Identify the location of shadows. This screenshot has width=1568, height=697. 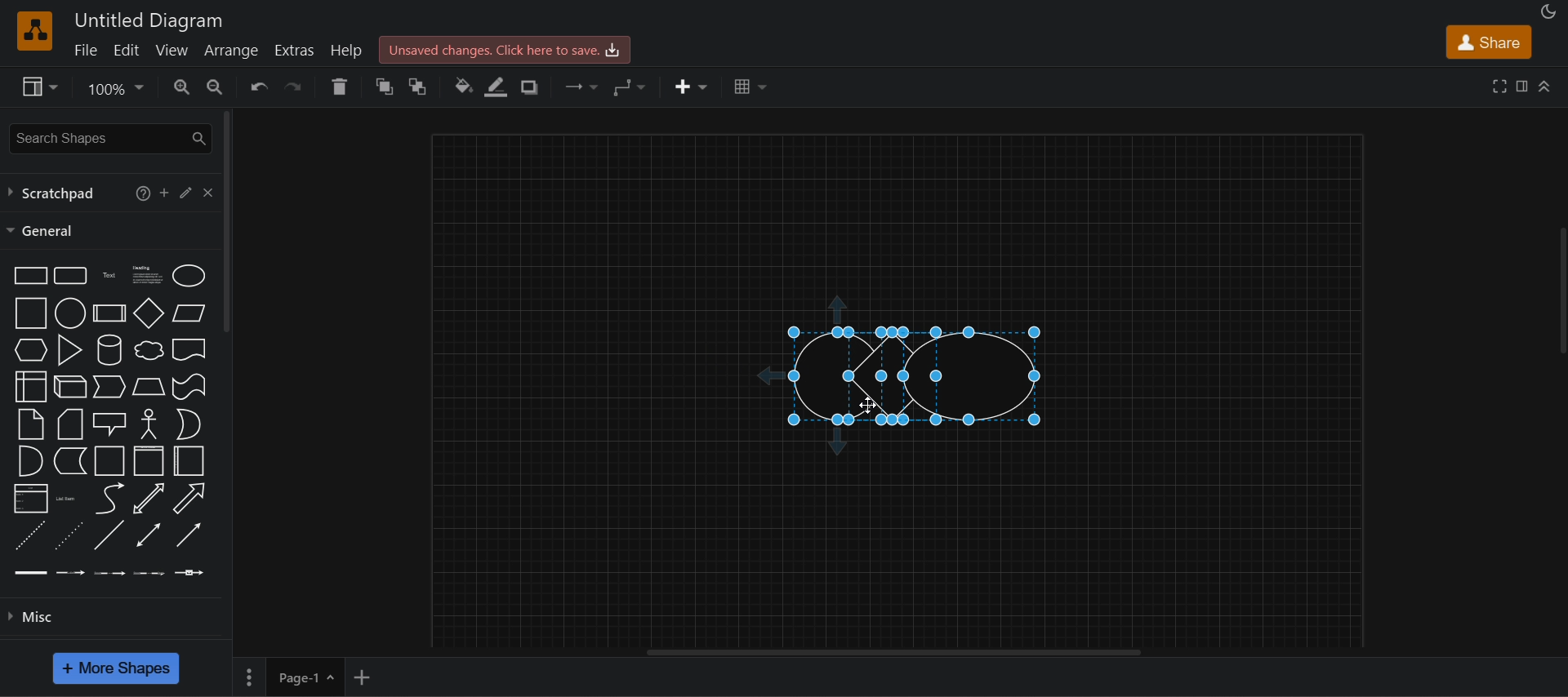
(528, 87).